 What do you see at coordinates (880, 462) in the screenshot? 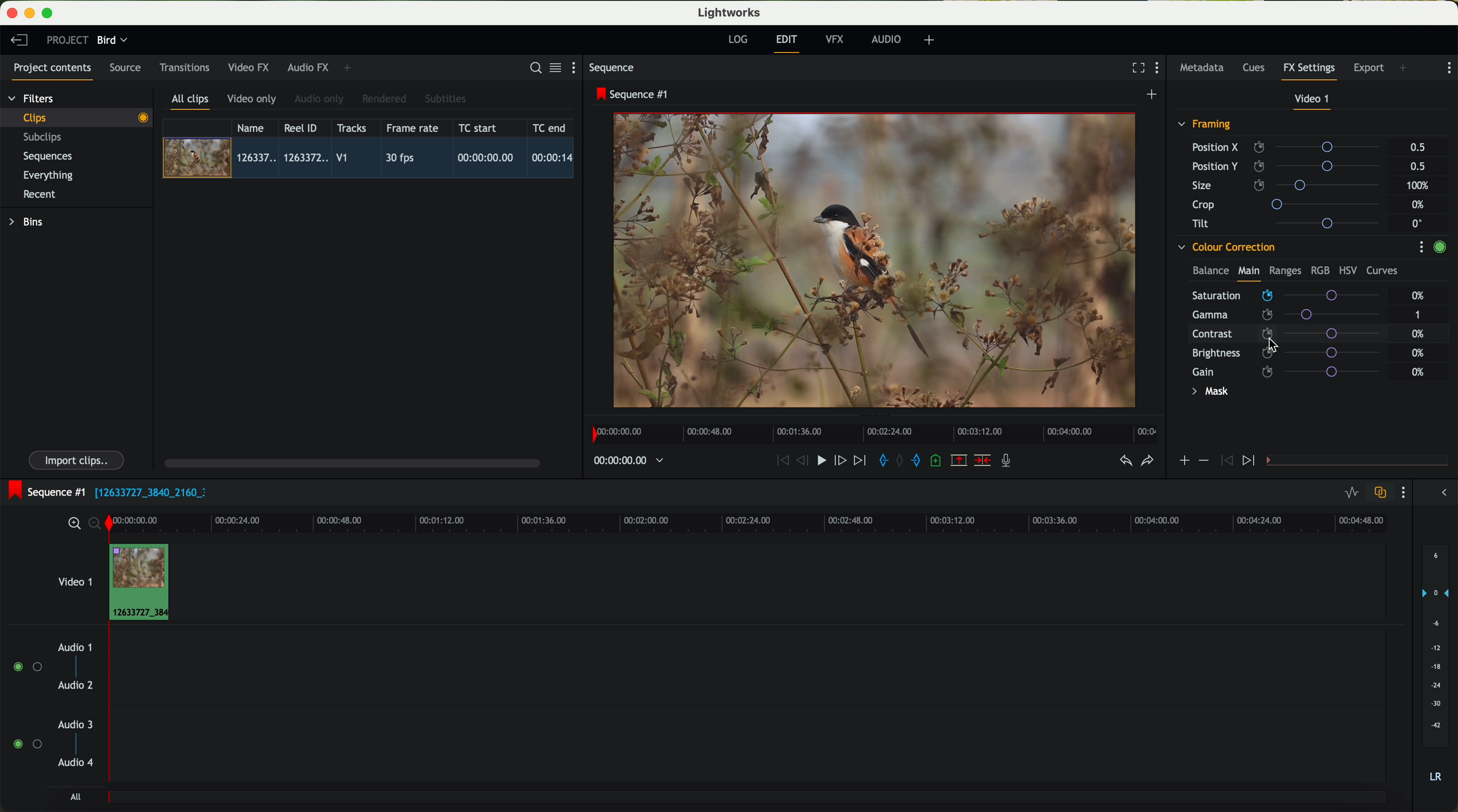
I see `add 'in' mark` at bounding box center [880, 462].